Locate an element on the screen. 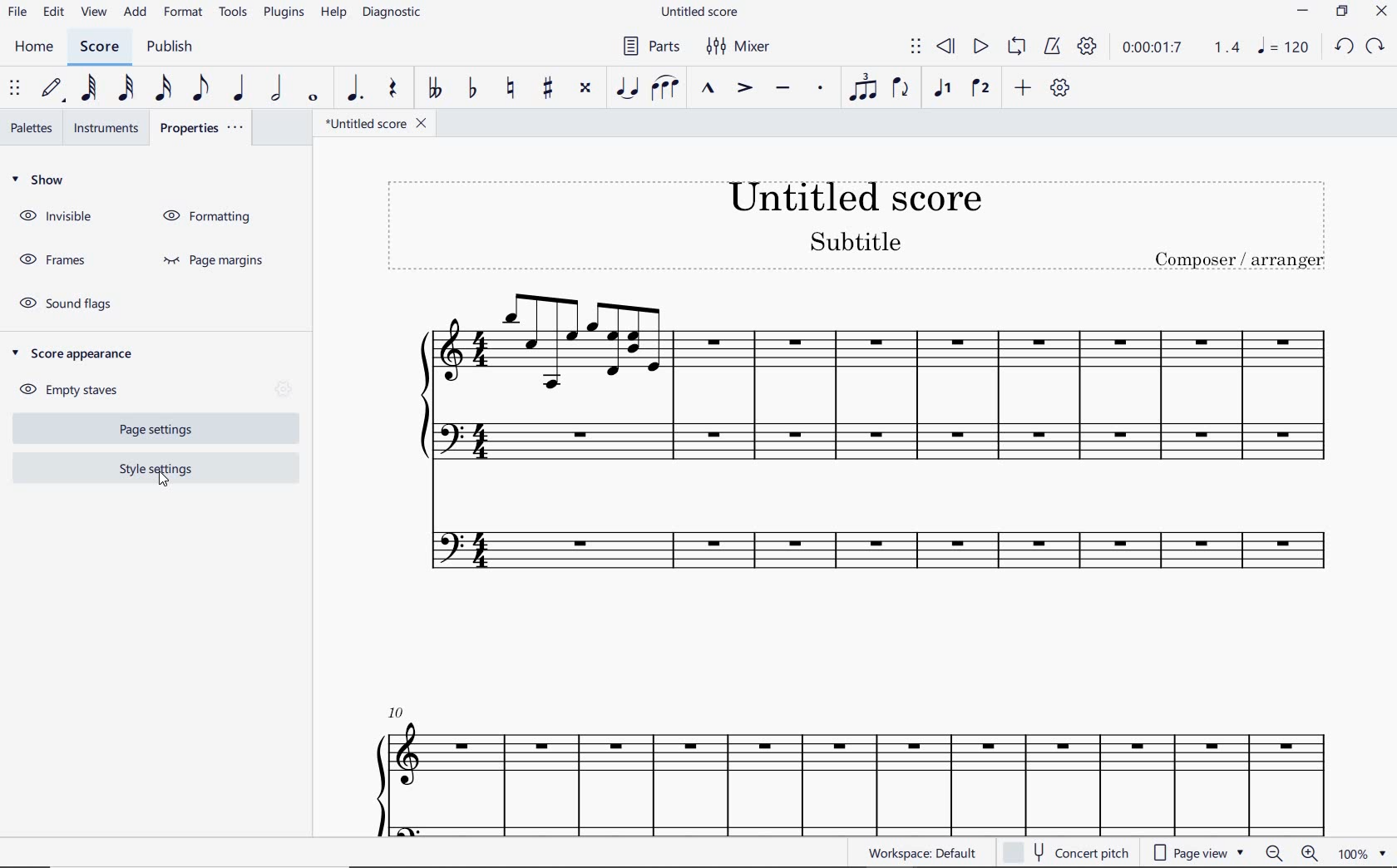 The height and width of the screenshot is (868, 1397). SCORE is located at coordinates (100, 47).